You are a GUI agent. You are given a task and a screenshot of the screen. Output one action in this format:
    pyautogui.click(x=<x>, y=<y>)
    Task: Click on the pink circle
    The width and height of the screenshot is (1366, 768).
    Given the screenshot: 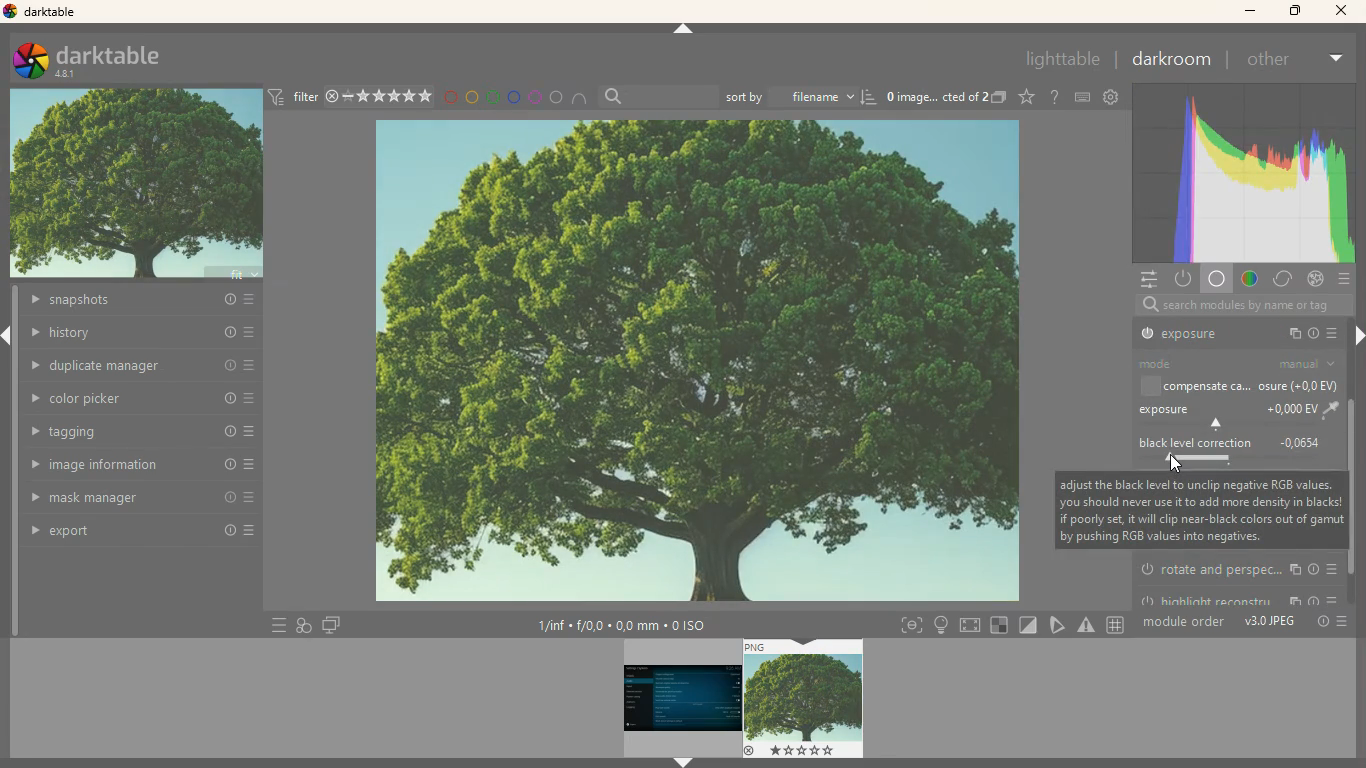 What is the action you would take?
    pyautogui.click(x=534, y=95)
    